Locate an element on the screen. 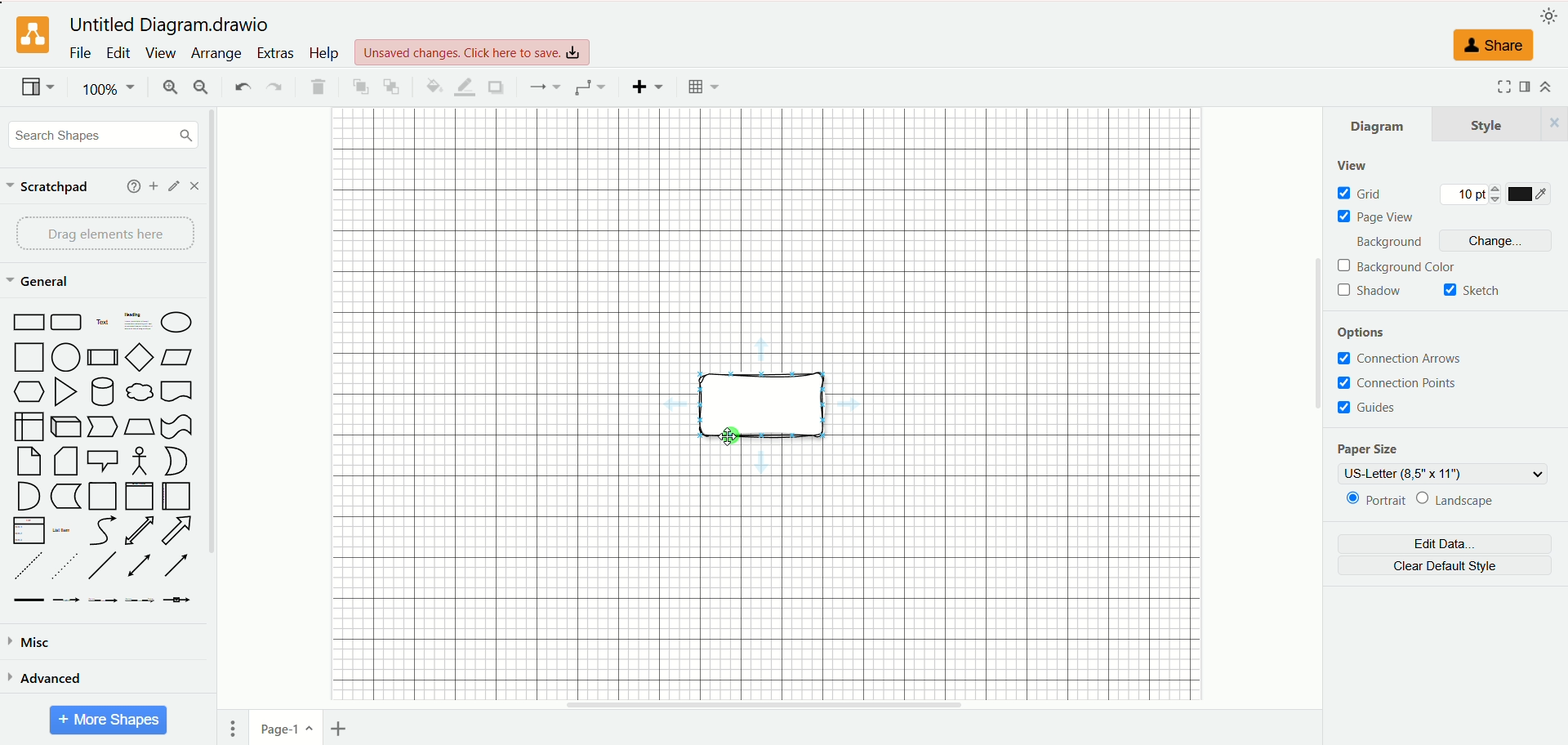  file is located at coordinates (81, 52).